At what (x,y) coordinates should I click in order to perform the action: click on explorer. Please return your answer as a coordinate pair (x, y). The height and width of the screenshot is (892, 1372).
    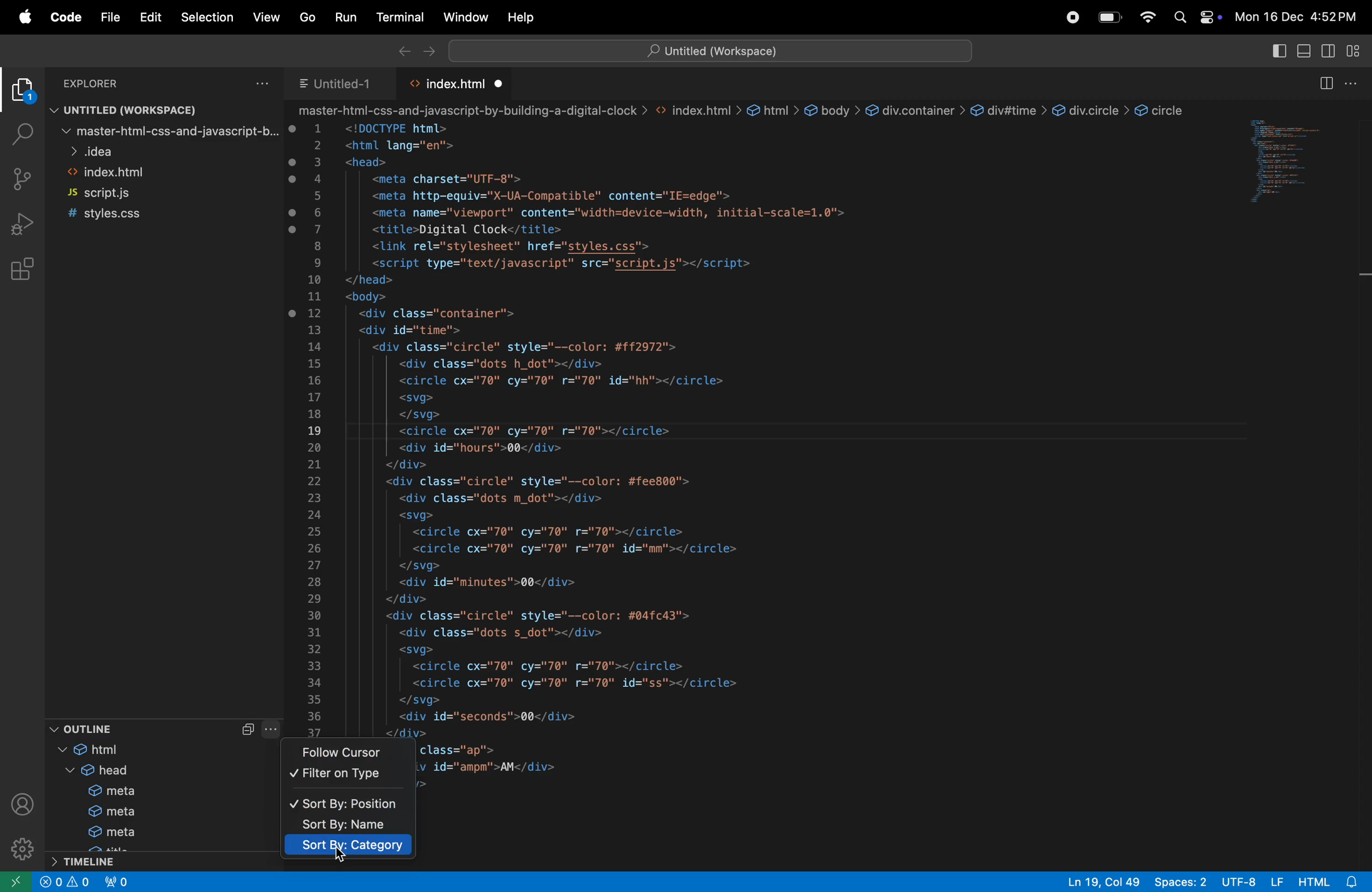
    Looking at the image, I should click on (19, 91).